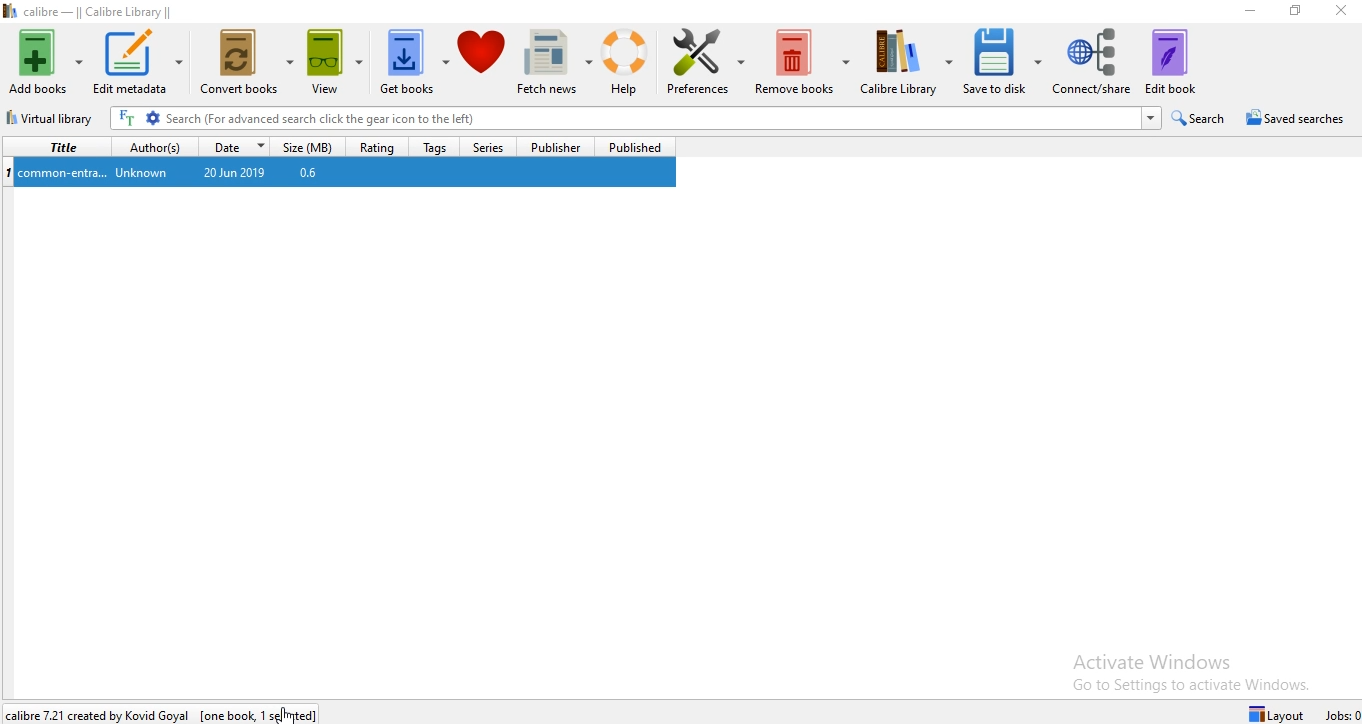  Describe the element at coordinates (230, 172) in the screenshot. I see `20 Jun 2019` at that location.